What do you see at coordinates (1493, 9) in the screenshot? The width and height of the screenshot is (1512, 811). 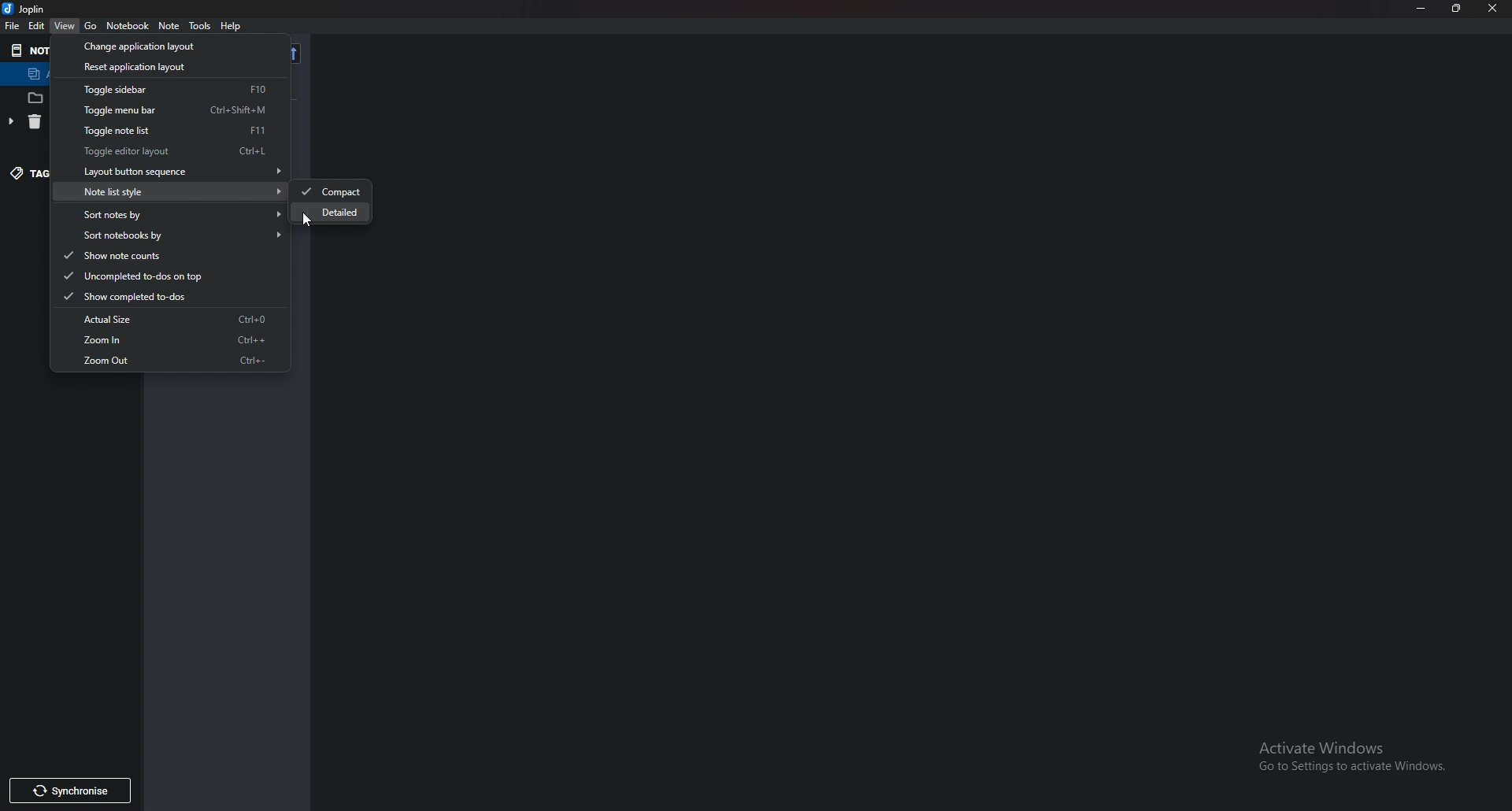 I see `close` at bounding box center [1493, 9].